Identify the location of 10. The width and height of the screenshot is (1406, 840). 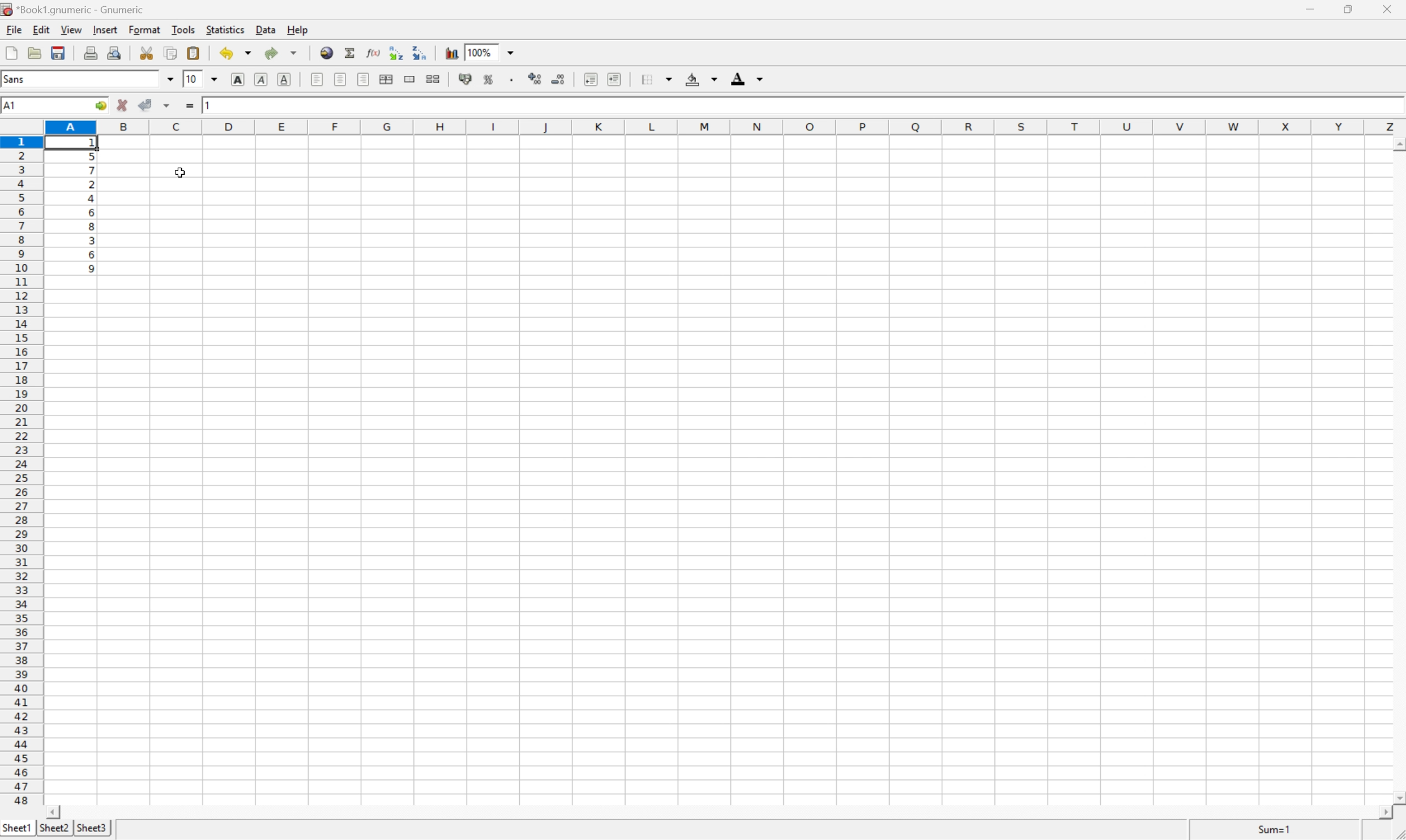
(192, 79).